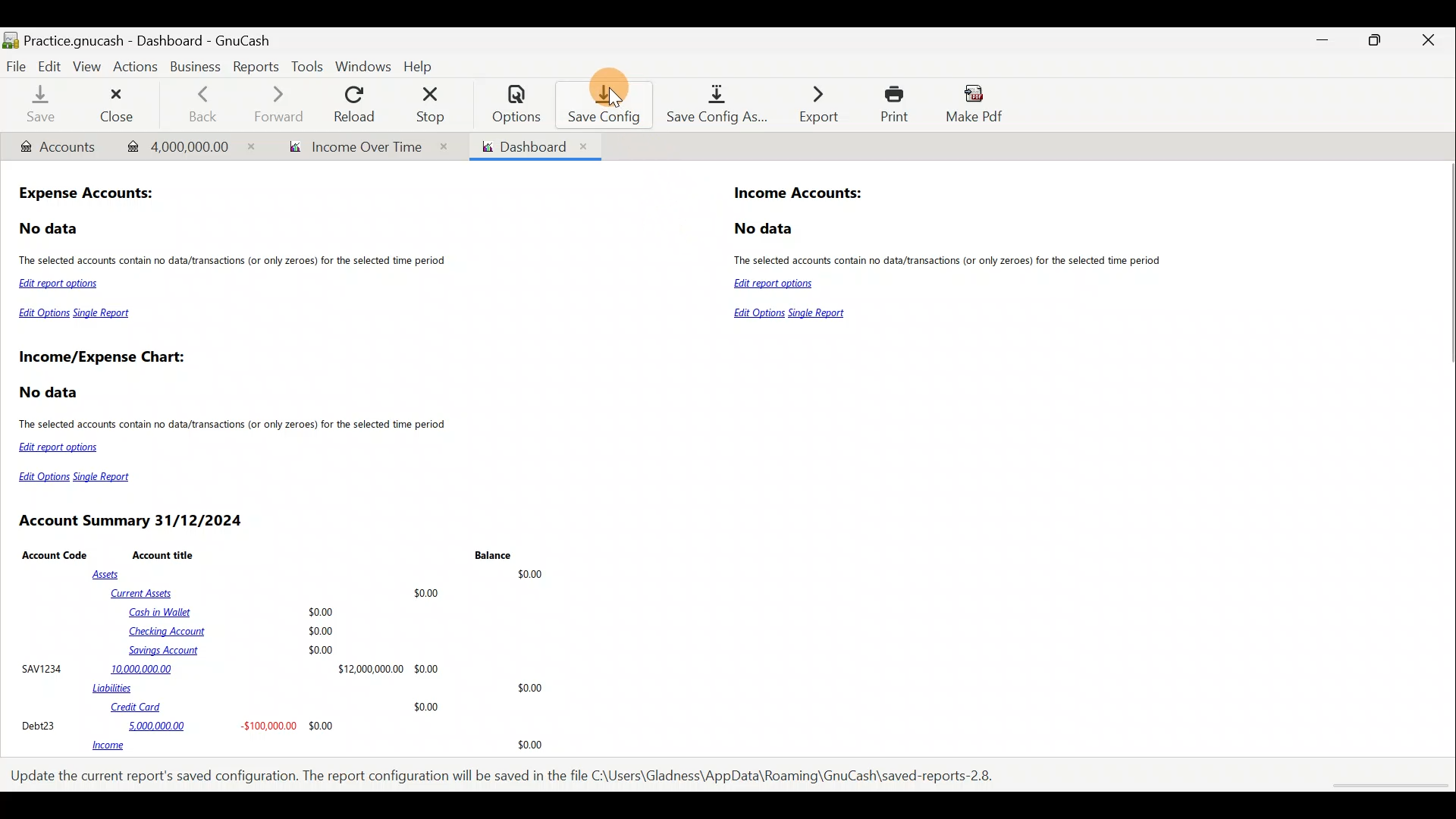  What do you see at coordinates (62, 285) in the screenshot?
I see `Edit report options` at bounding box center [62, 285].